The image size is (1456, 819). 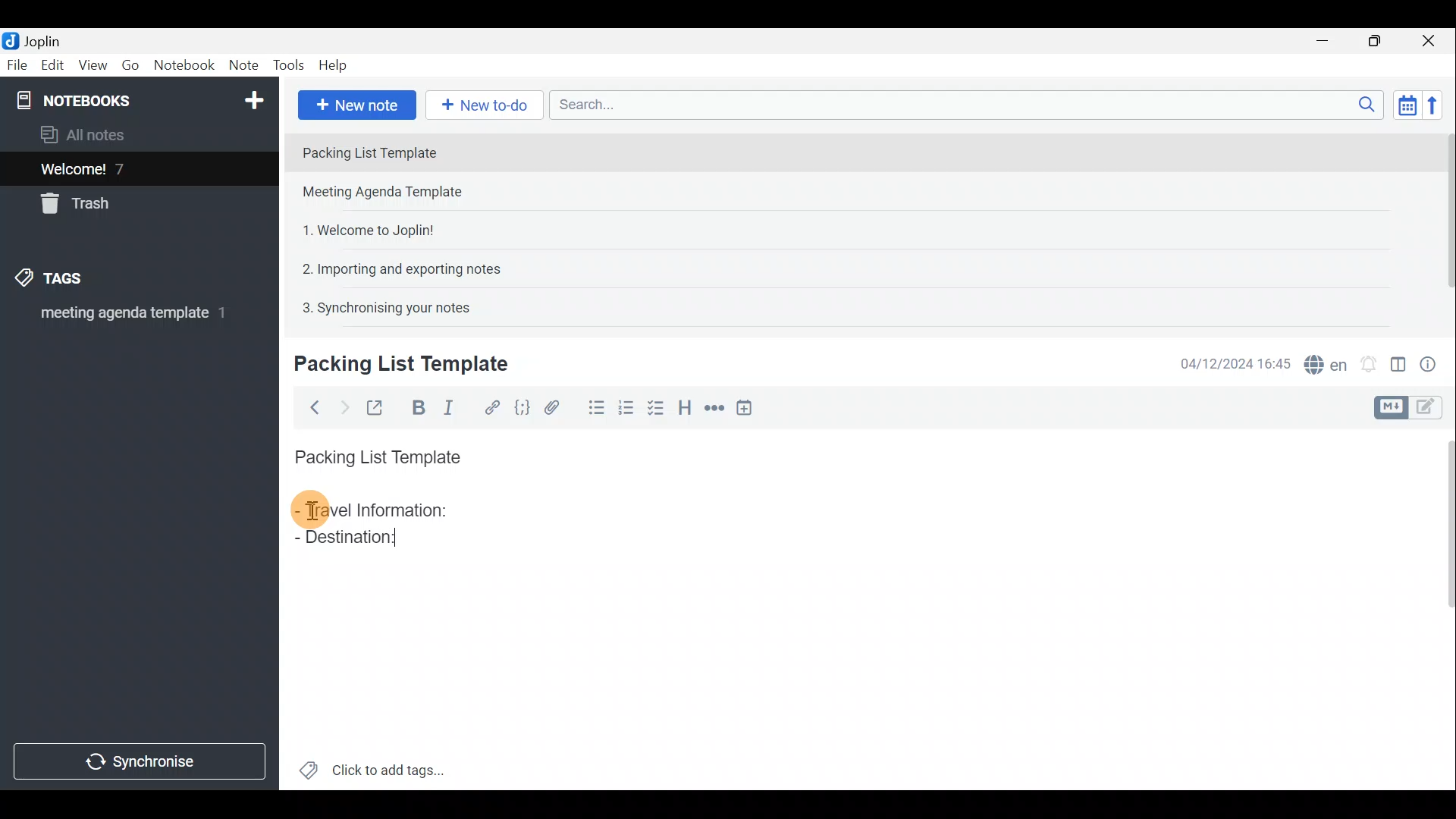 What do you see at coordinates (335, 67) in the screenshot?
I see `Help` at bounding box center [335, 67].